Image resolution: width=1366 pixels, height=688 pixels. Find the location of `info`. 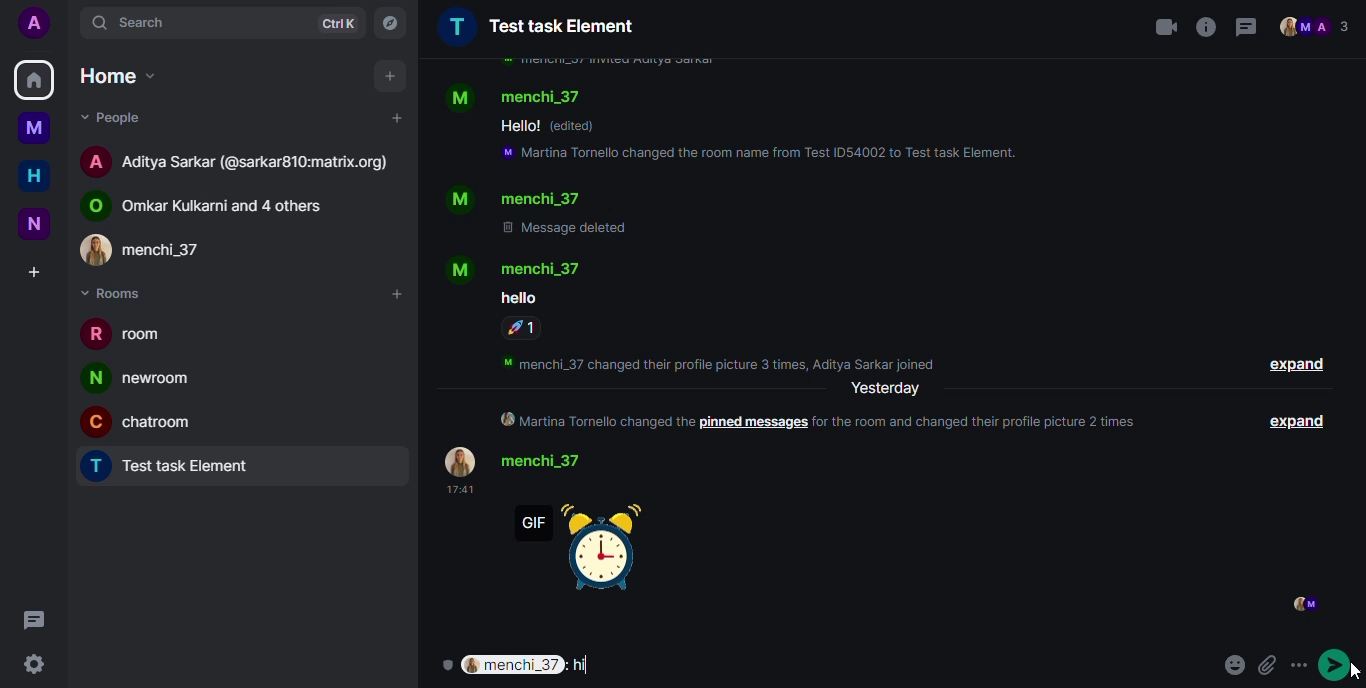

info is located at coordinates (606, 62).